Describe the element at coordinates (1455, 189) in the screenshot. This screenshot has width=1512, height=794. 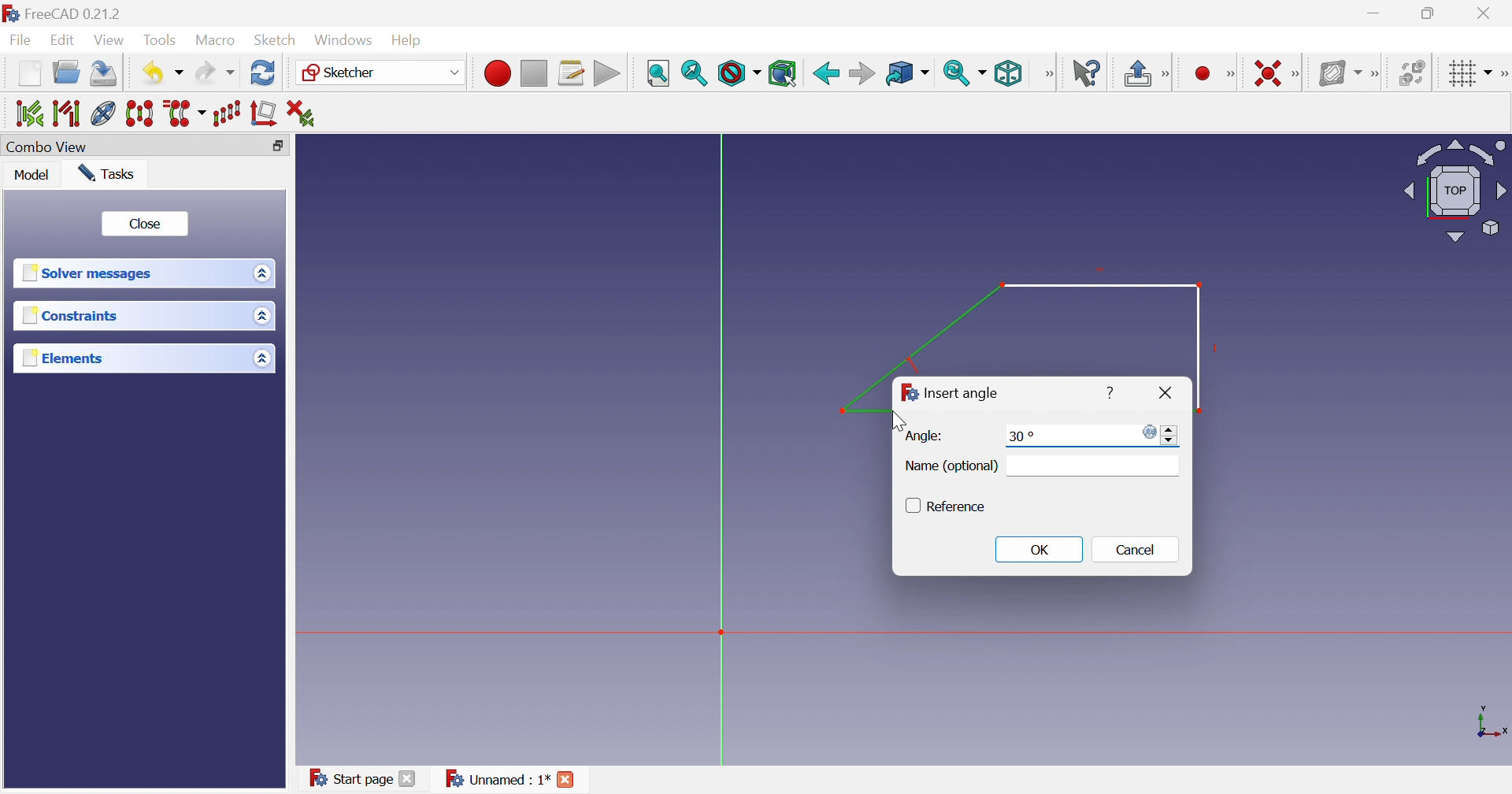
I see `Viewing angle` at that location.